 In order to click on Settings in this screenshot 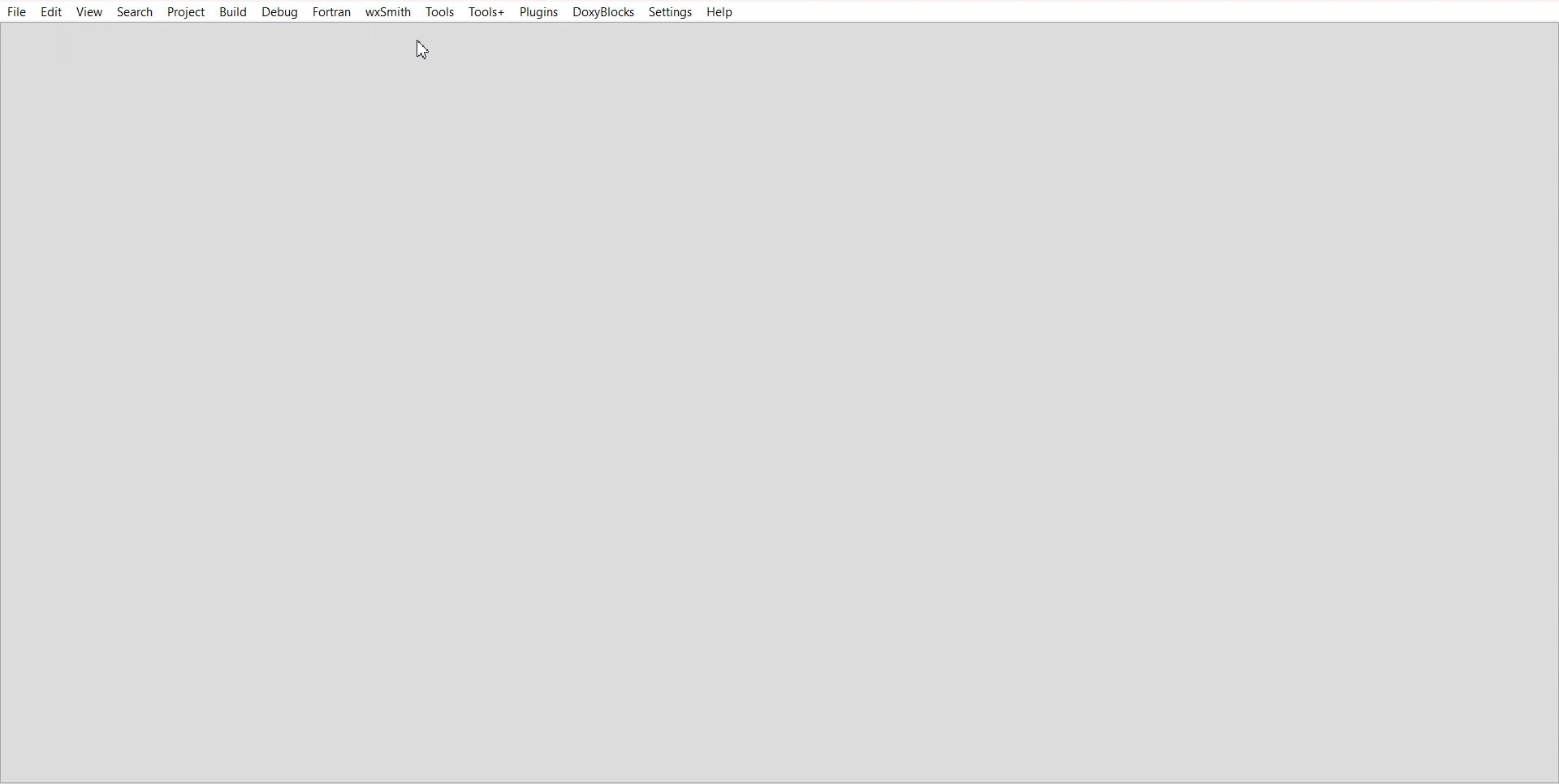, I will do `click(671, 12)`.